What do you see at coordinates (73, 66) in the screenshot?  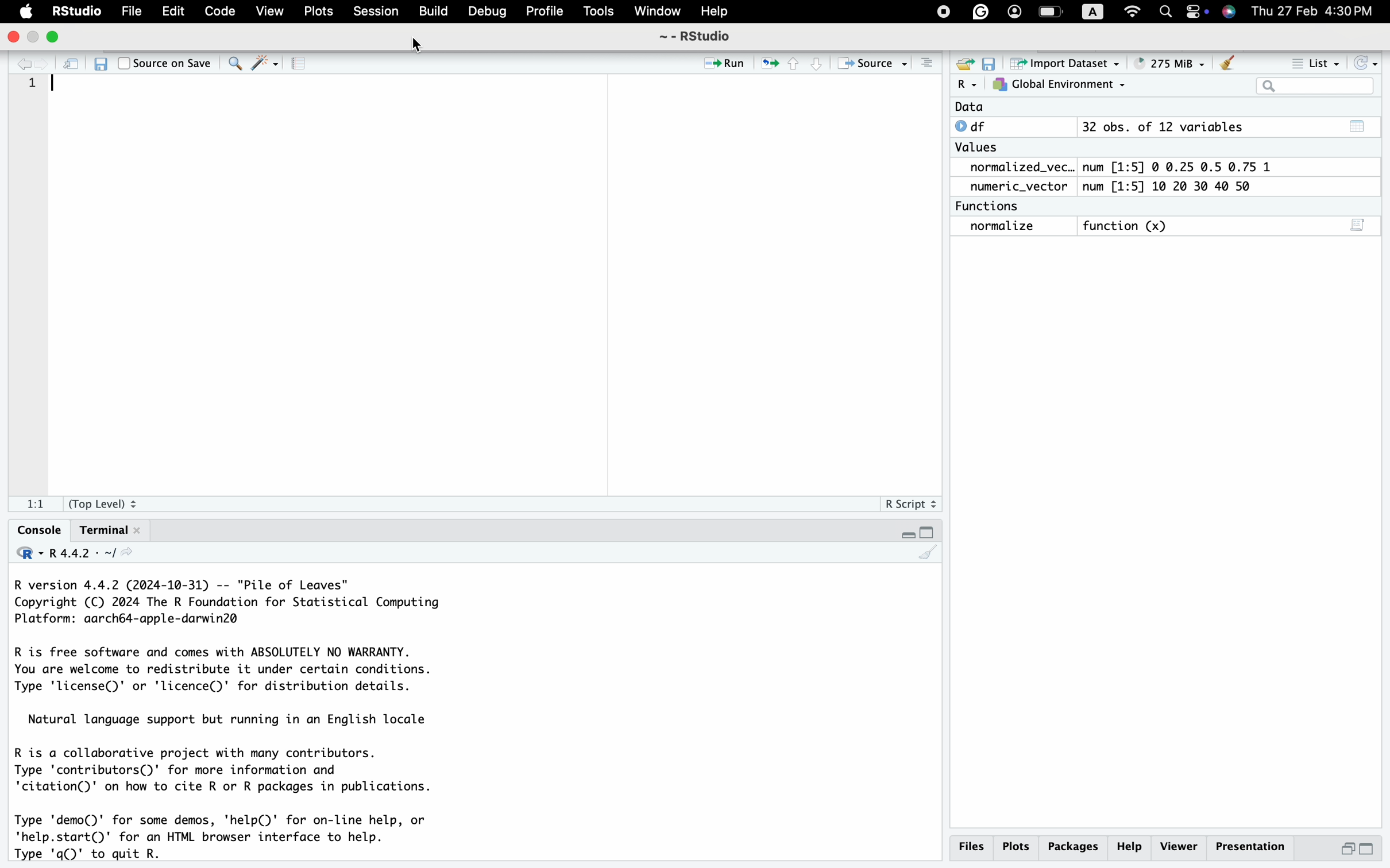 I see `show in new window` at bounding box center [73, 66].